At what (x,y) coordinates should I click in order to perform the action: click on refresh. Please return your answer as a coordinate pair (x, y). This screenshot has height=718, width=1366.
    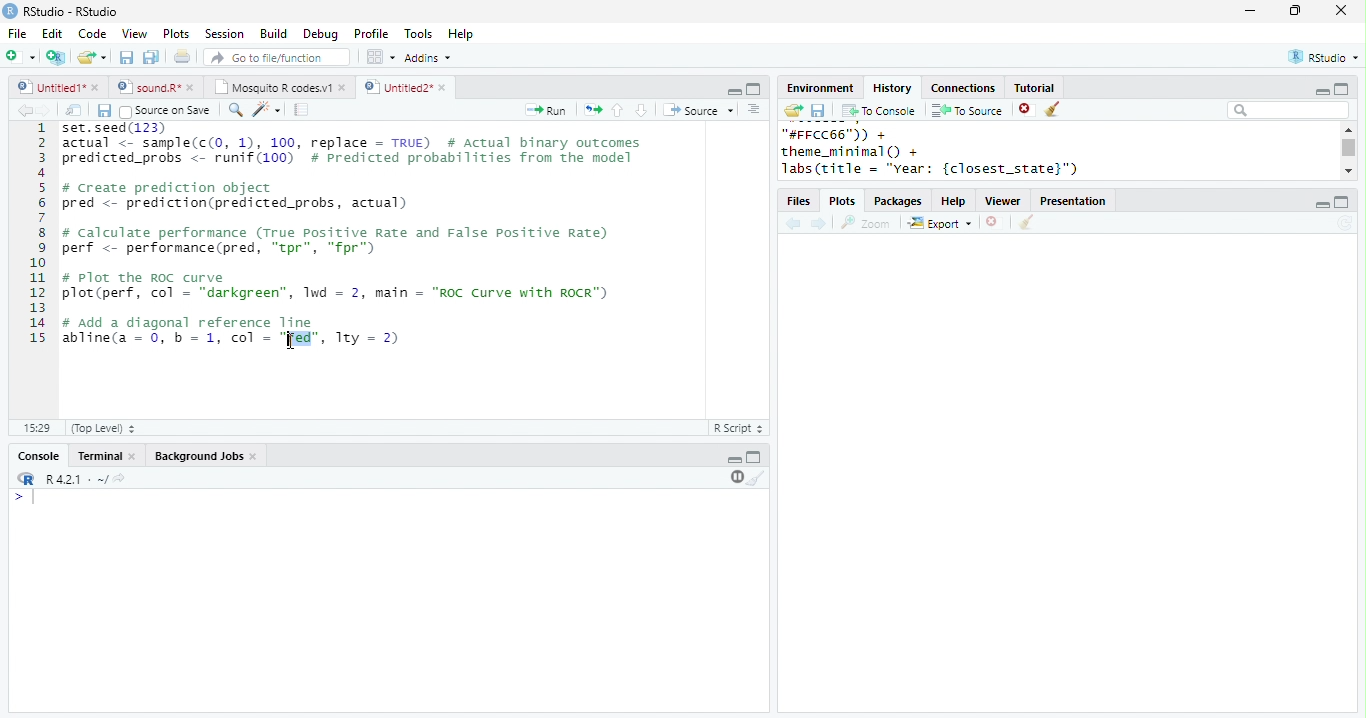
    Looking at the image, I should click on (1345, 223).